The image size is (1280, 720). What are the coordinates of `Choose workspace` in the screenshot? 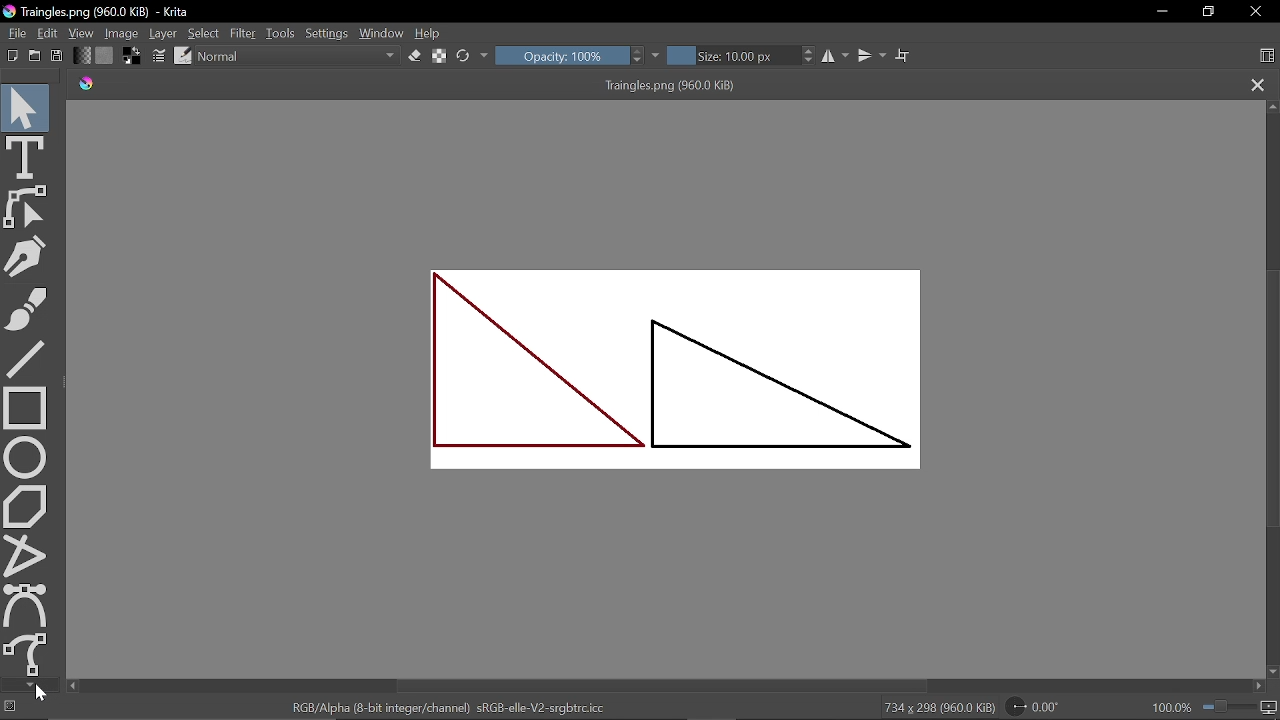 It's located at (1267, 57).